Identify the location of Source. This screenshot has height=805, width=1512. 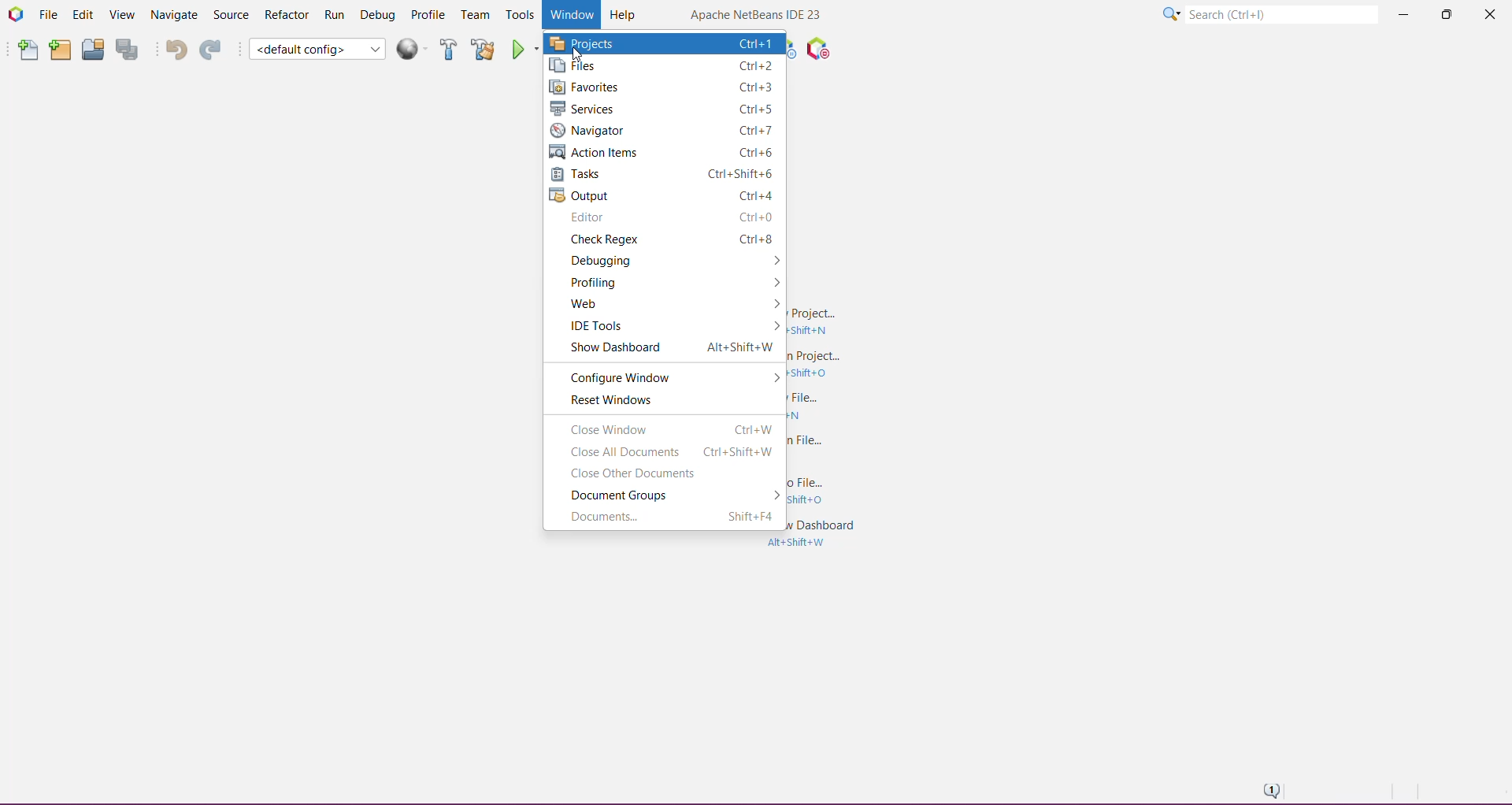
(230, 15).